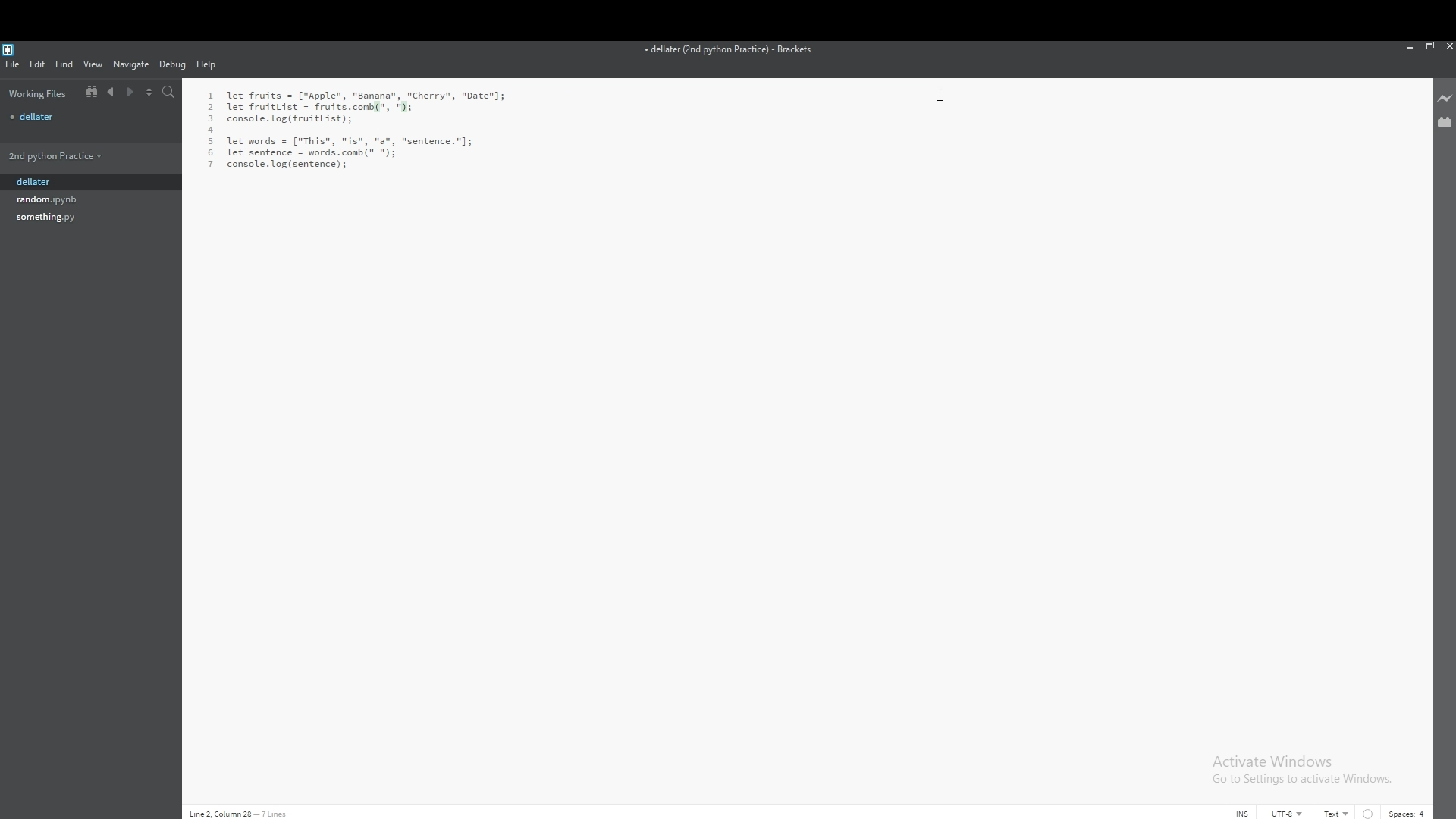 The width and height of the screenshot is (1456, 819). I want to click on close, so click(1447, 46).